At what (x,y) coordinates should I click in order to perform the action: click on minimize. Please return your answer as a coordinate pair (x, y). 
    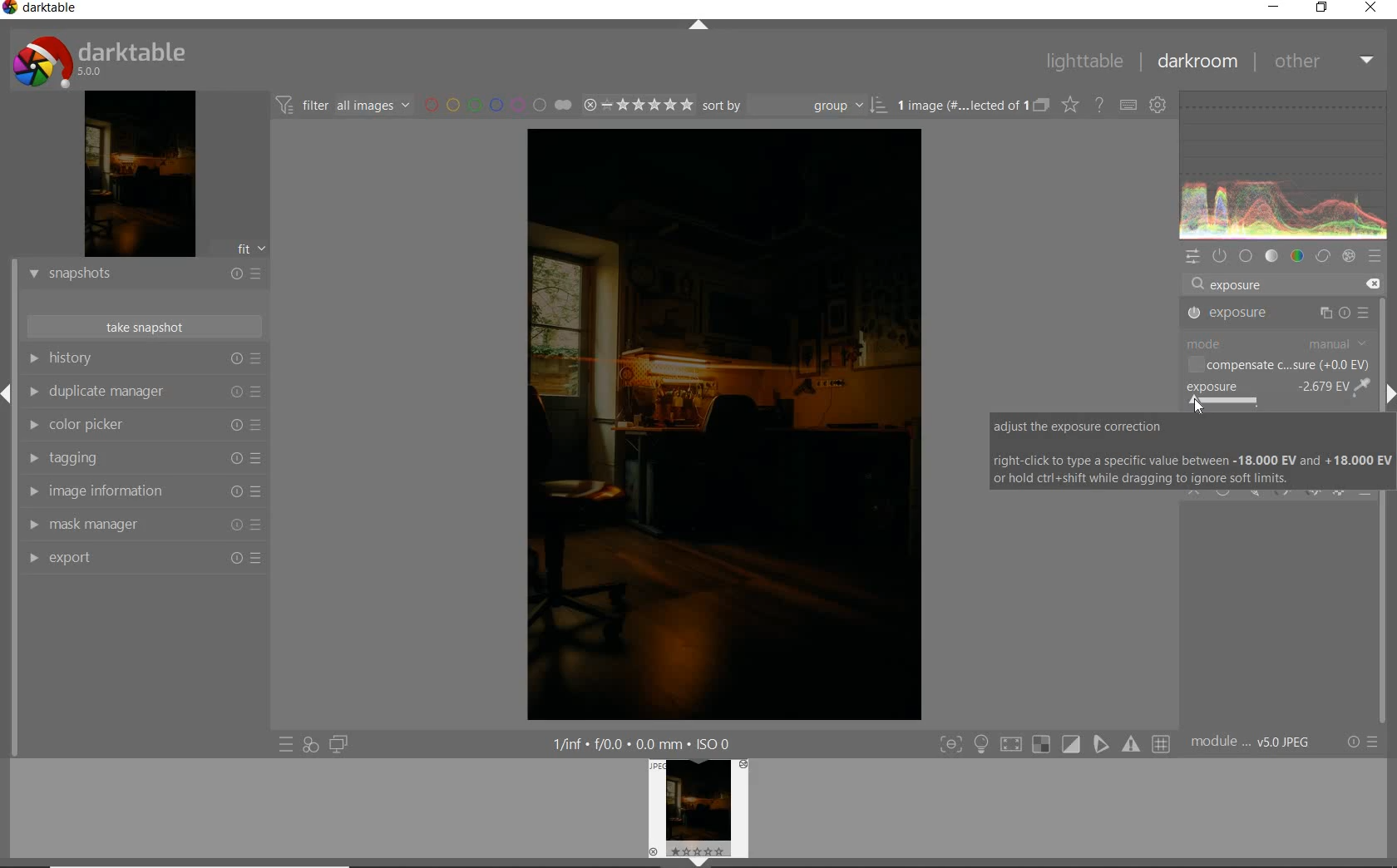
    Looking at the image, I should click on (1273, 8).